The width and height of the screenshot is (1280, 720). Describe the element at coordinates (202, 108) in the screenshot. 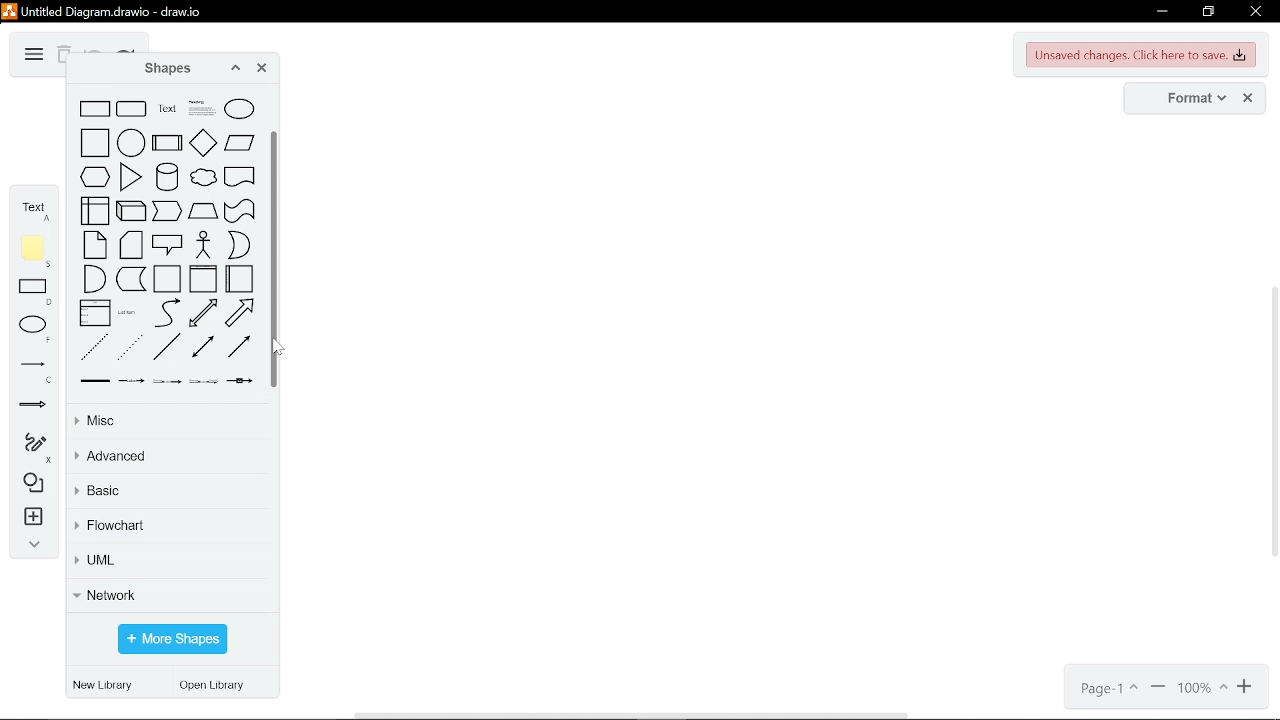

I see `heading` at that location.